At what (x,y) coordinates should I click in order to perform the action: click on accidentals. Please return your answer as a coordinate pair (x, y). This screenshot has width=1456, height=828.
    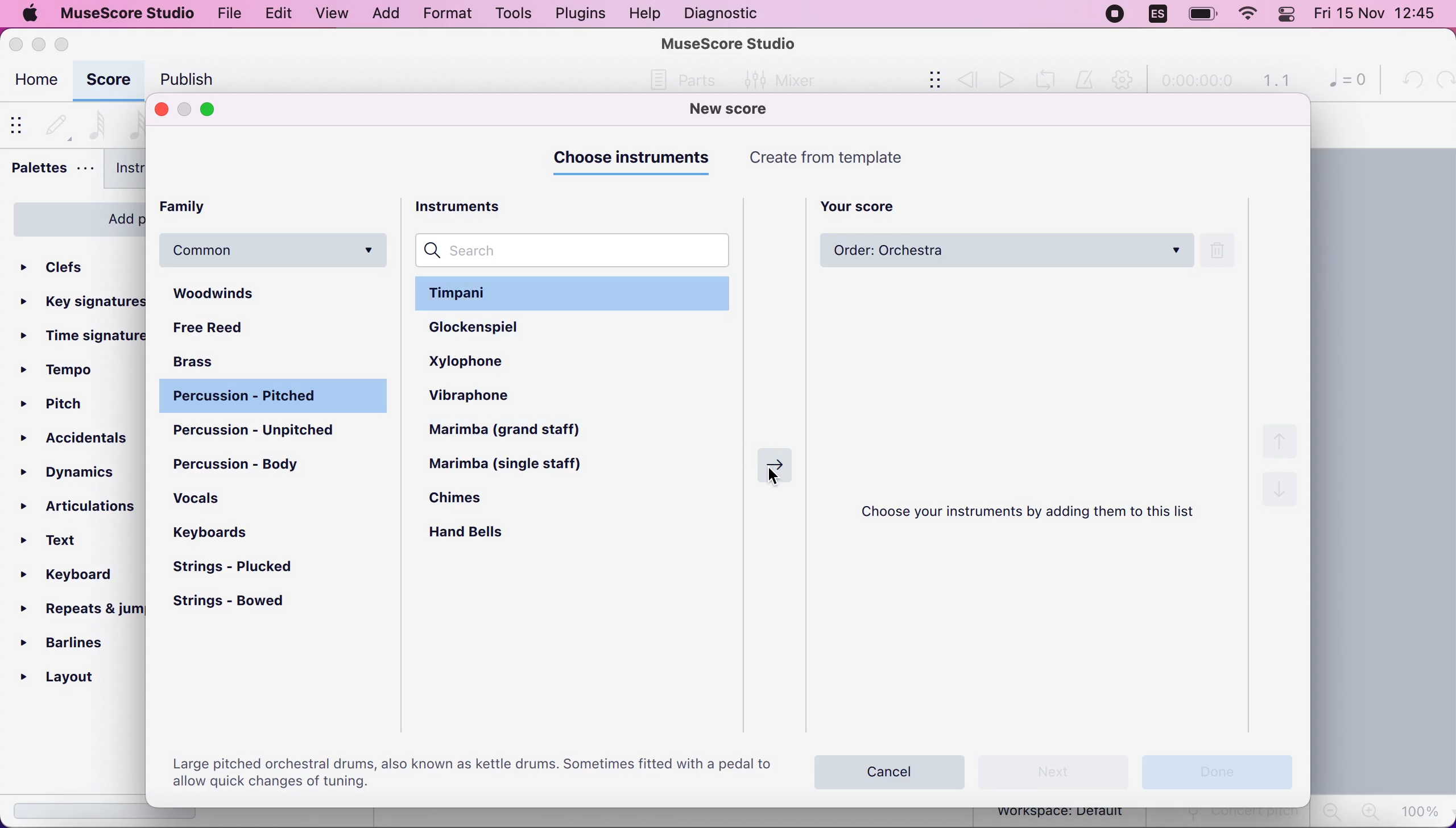
    Looking at the image, I should click on (77, 438).